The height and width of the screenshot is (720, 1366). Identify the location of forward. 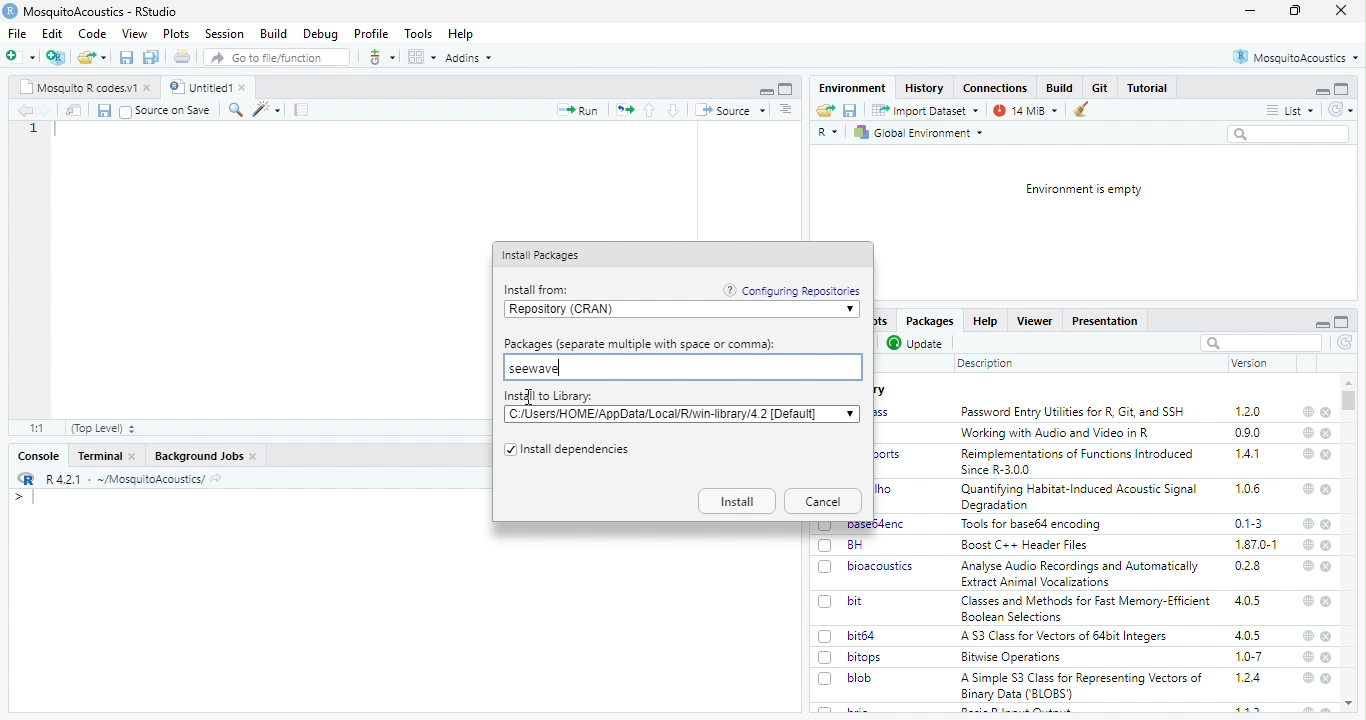
(45, 111).